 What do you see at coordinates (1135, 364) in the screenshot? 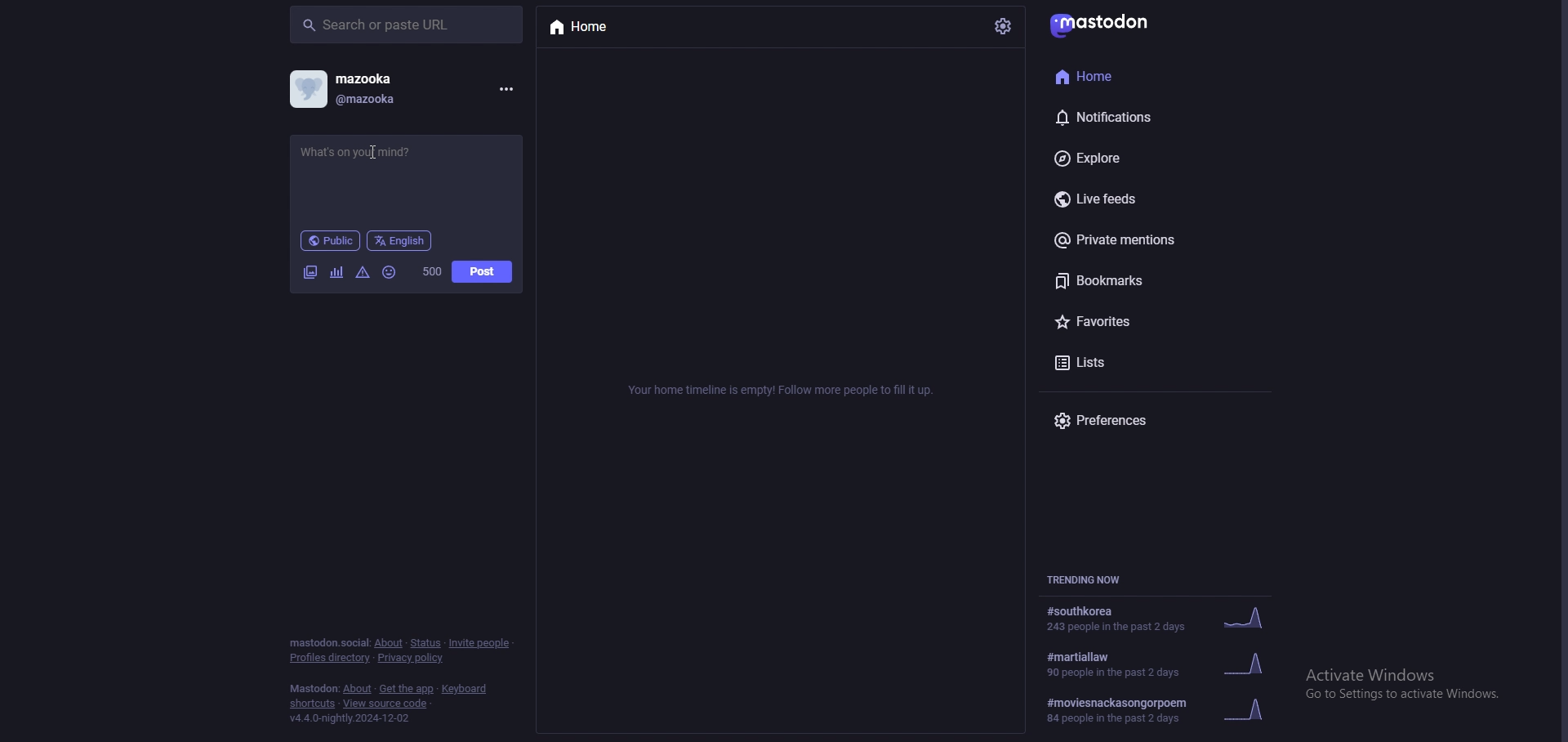
I see `lists` at bounding box center [1135, 364].